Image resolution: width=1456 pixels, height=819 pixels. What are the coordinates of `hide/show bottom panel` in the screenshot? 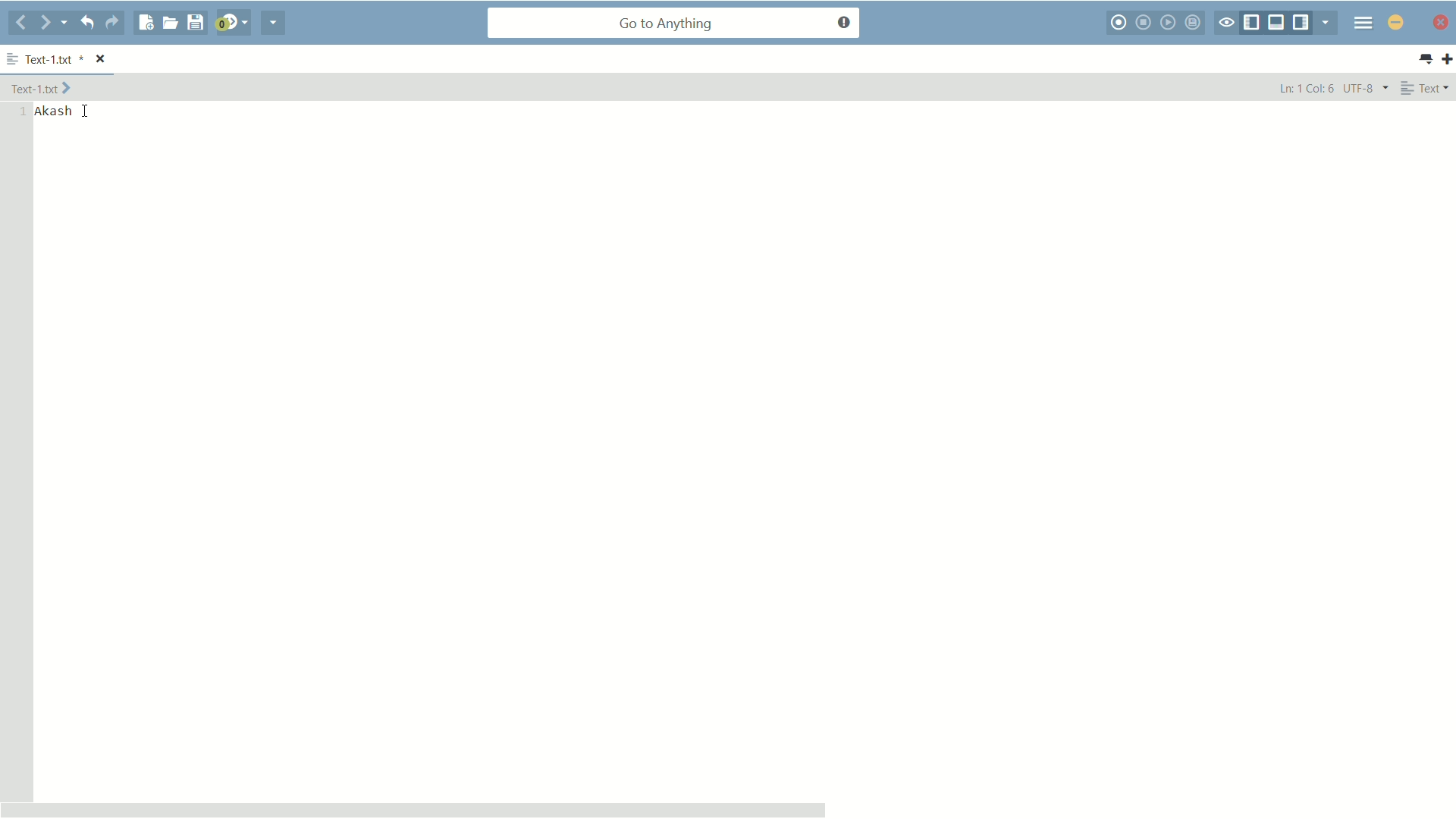 It's located at (1277, 23).